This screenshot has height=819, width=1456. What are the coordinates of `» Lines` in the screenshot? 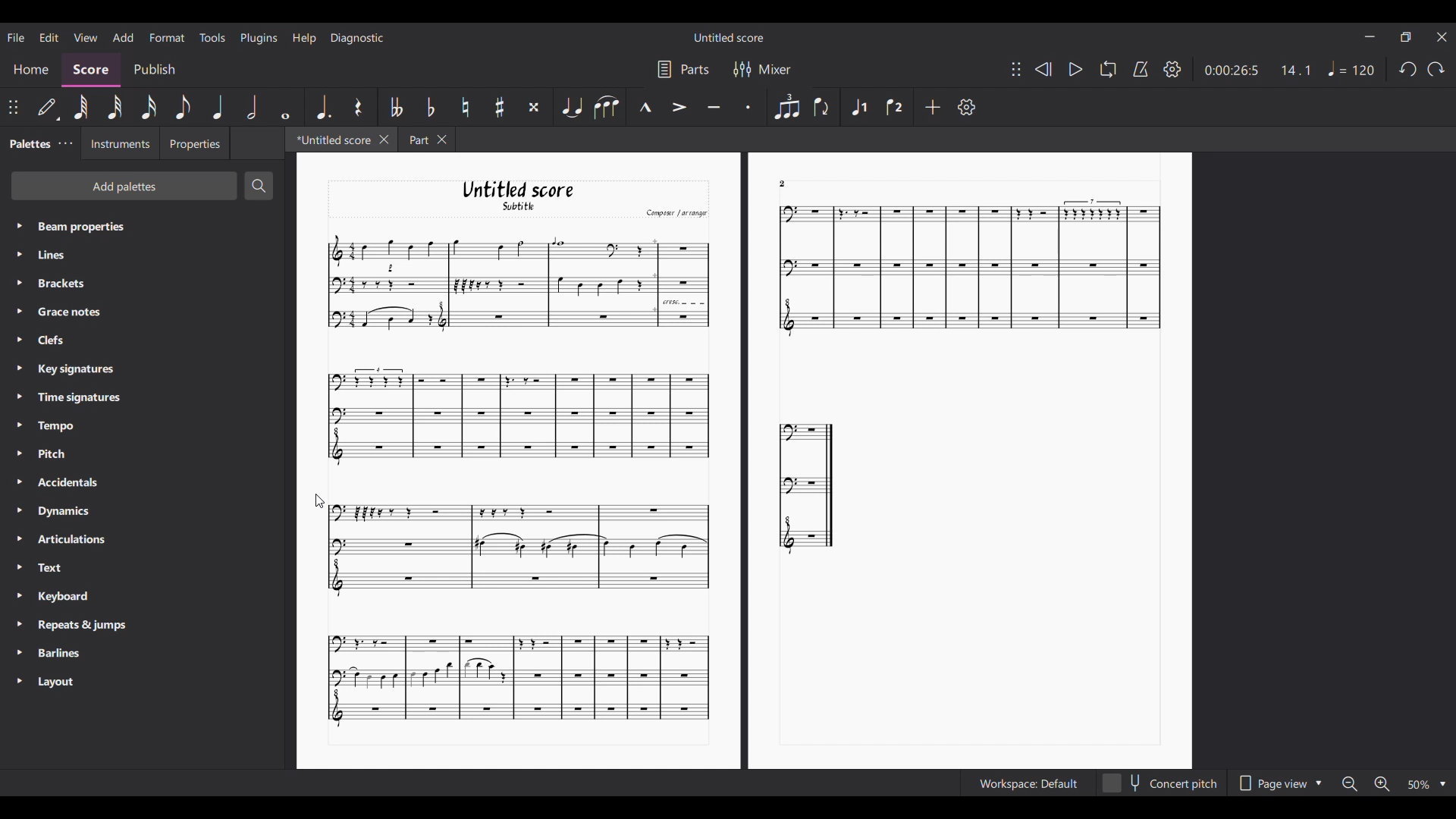 It's located at (66, 256).